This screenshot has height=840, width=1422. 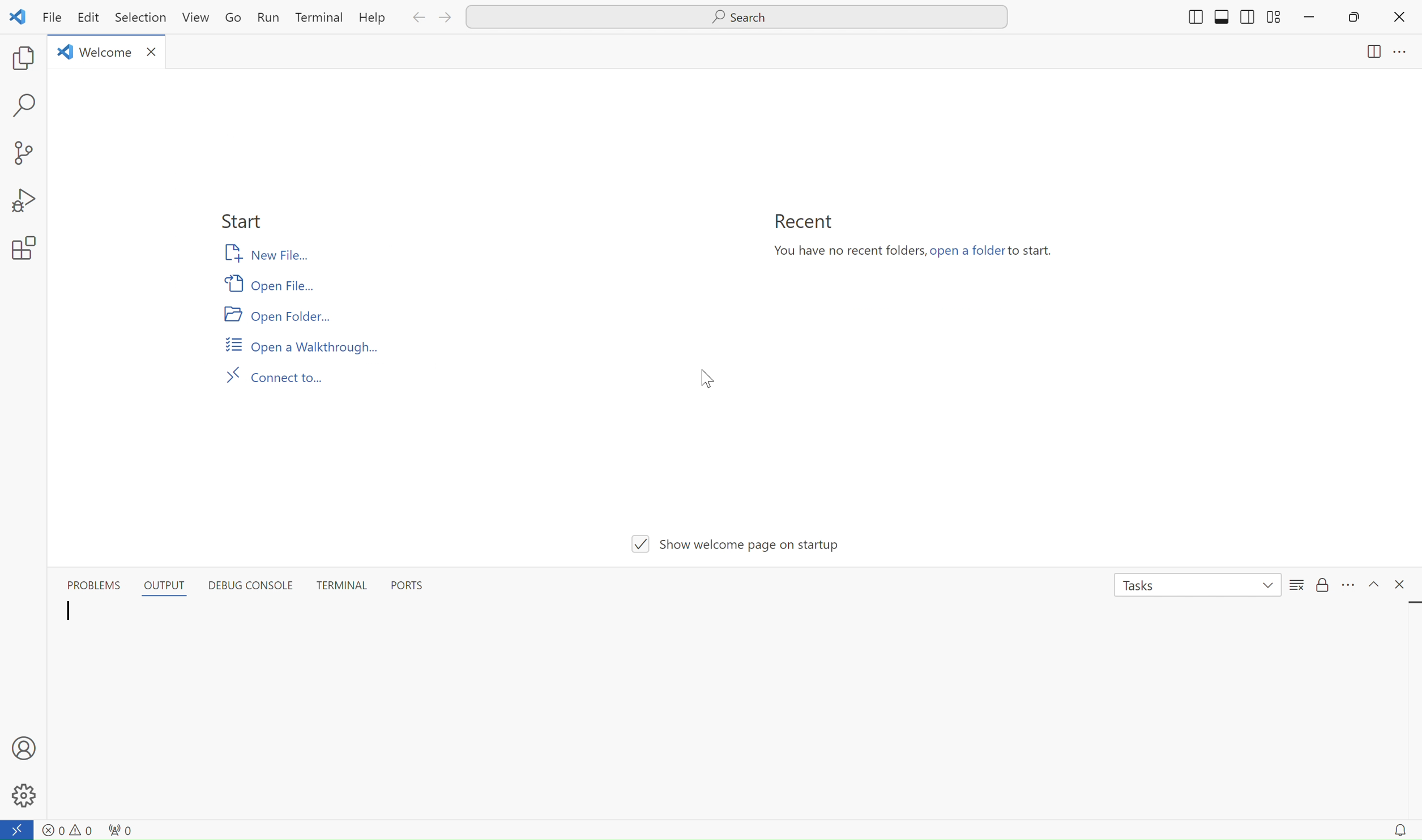 What do you see at coordinates (155, 55) in the screenshot?
I see `close` at bounding box center [155, 55].